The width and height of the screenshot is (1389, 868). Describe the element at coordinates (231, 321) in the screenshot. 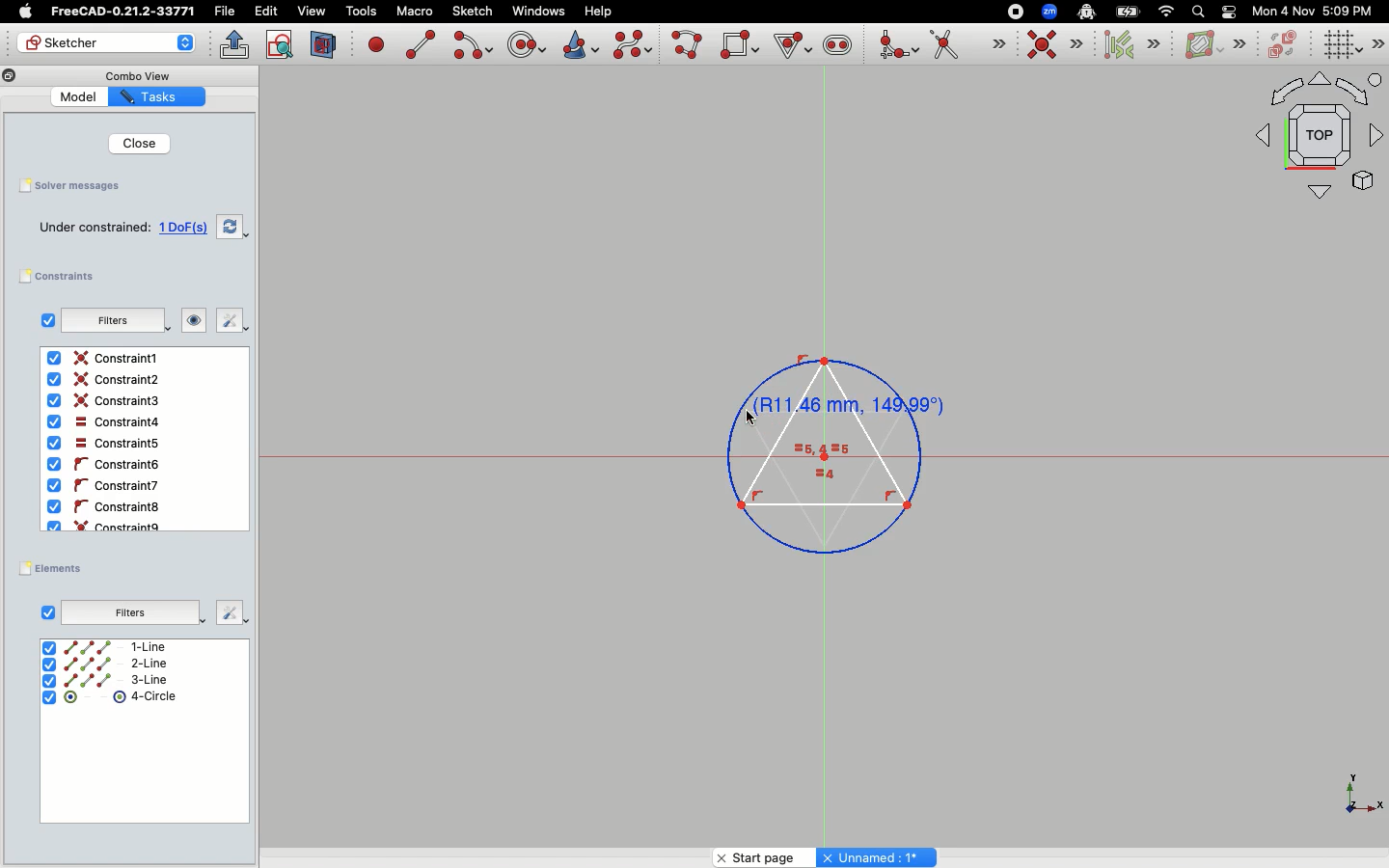

I see `Fix` at that location.